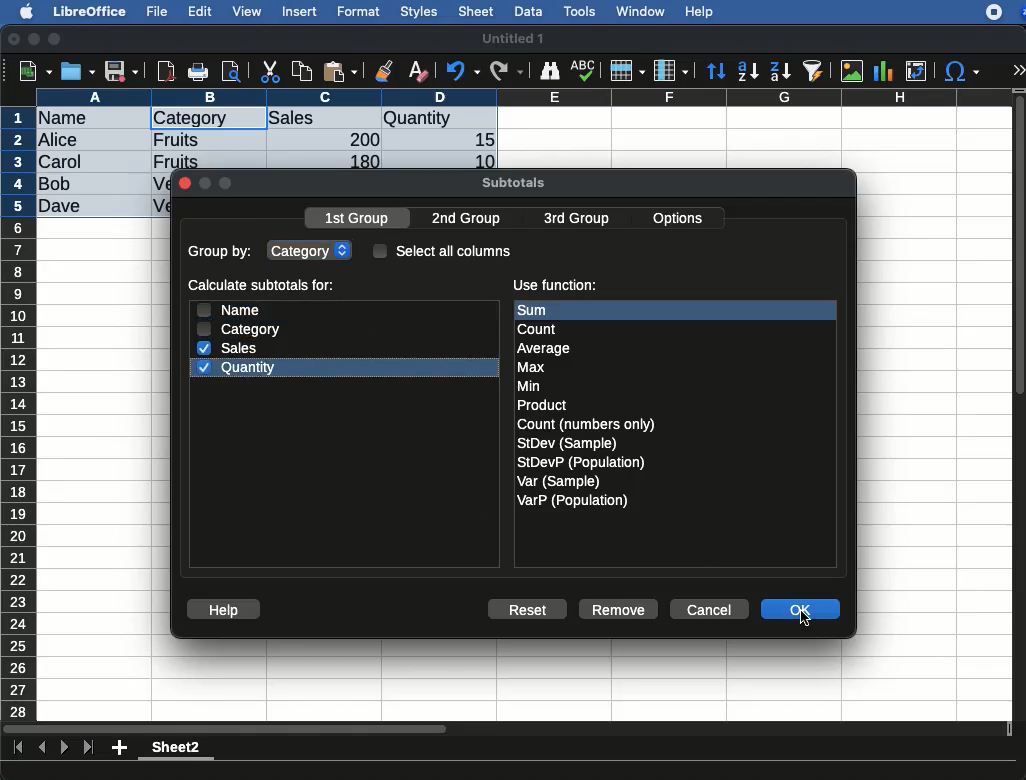 Image resolution: width=1026 pixels, height=780 pixels. Describe the element at coordinates (884, 71) in the screenshot. I see `chart` at that location.